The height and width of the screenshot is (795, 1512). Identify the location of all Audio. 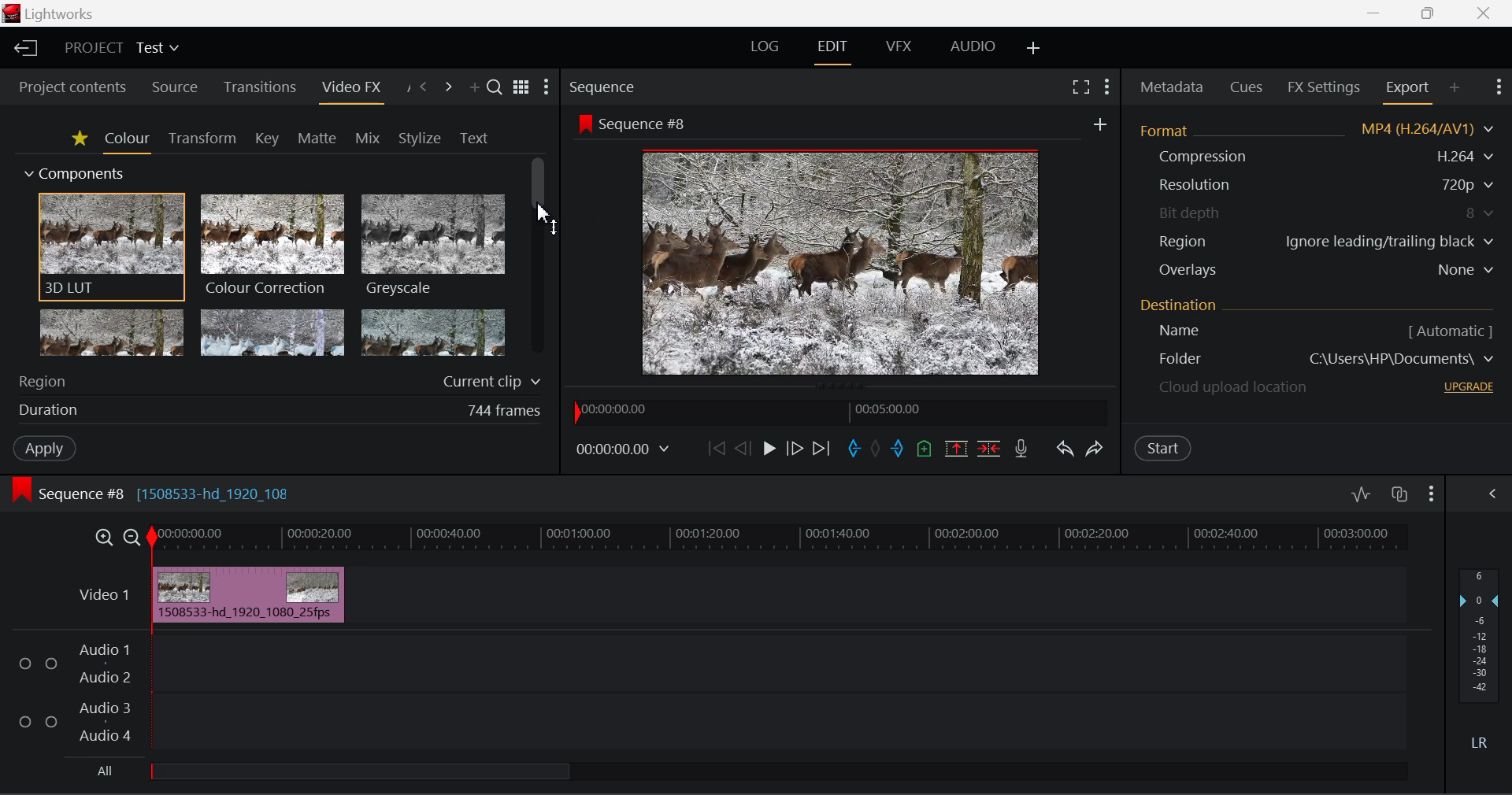
(361, 770).